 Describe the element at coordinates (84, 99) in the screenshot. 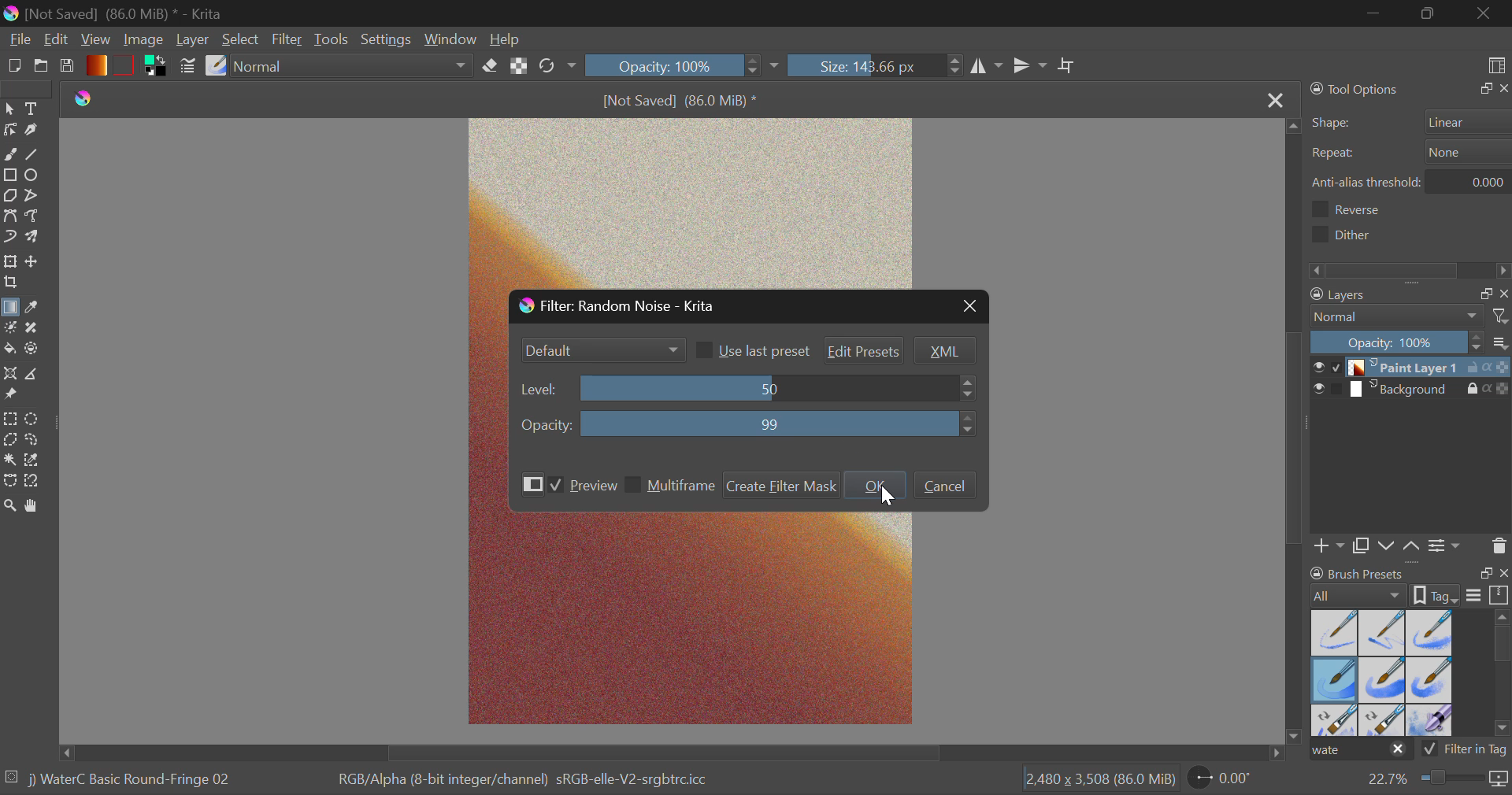

I see `logo` at that location.